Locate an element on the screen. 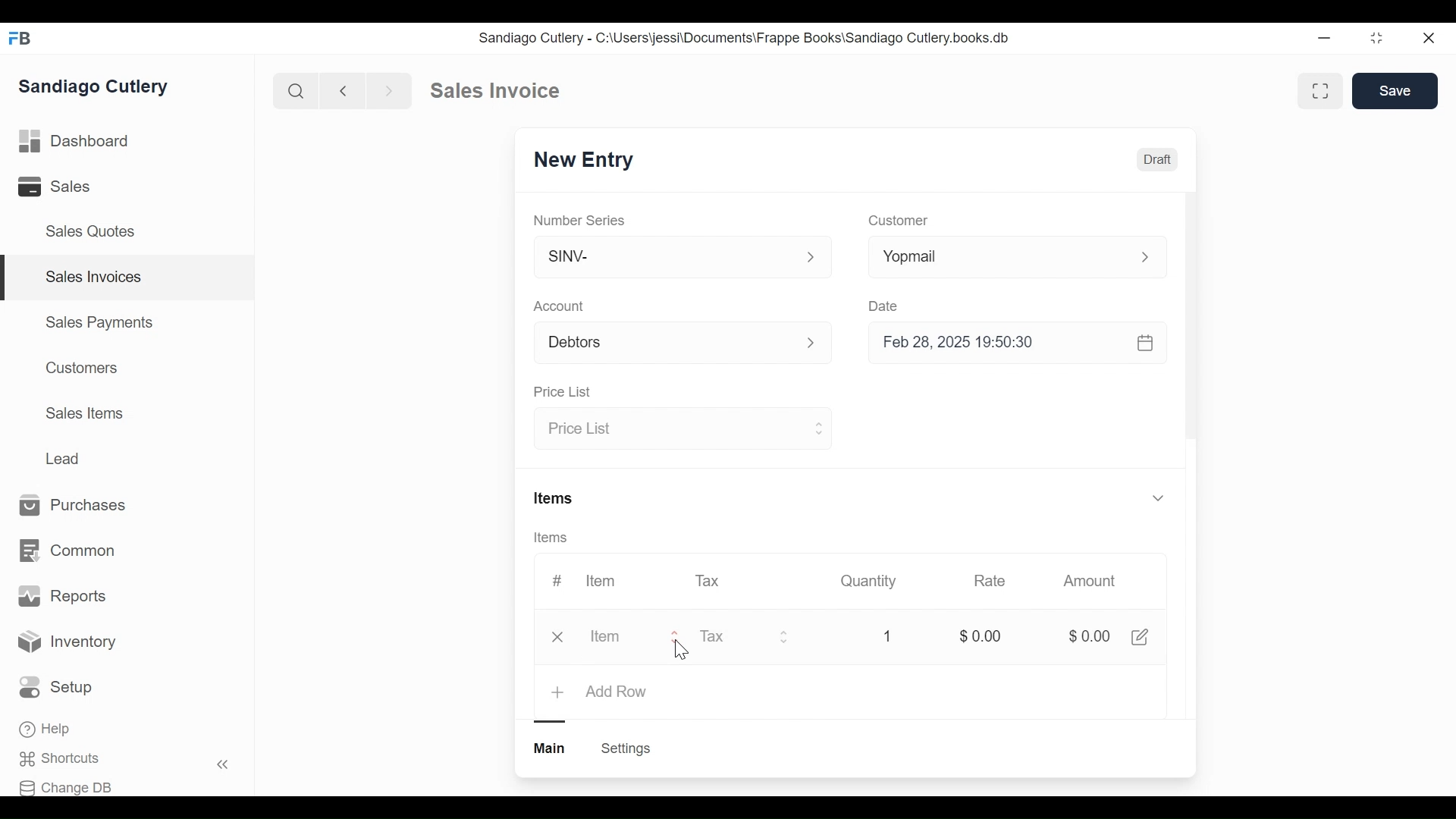 The height and width of the screenshot is (819, 1456). + Add Row is located at coordinates (601, 693).